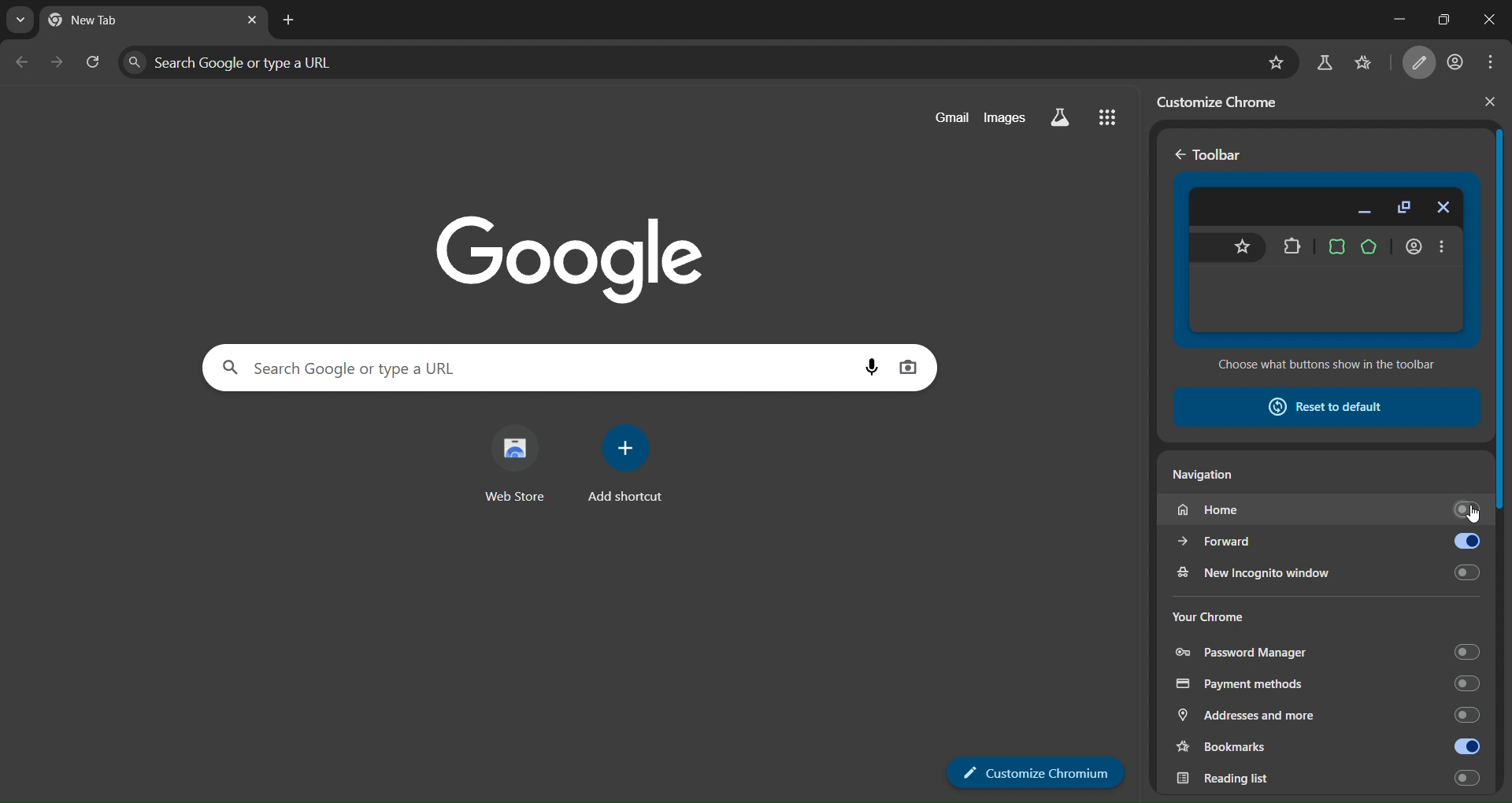 This screenshot has width=1512, height=803. What do you see at coordinates (113, 21) in the screenshot?
I see `current tab` at bounding box center [113, 21].